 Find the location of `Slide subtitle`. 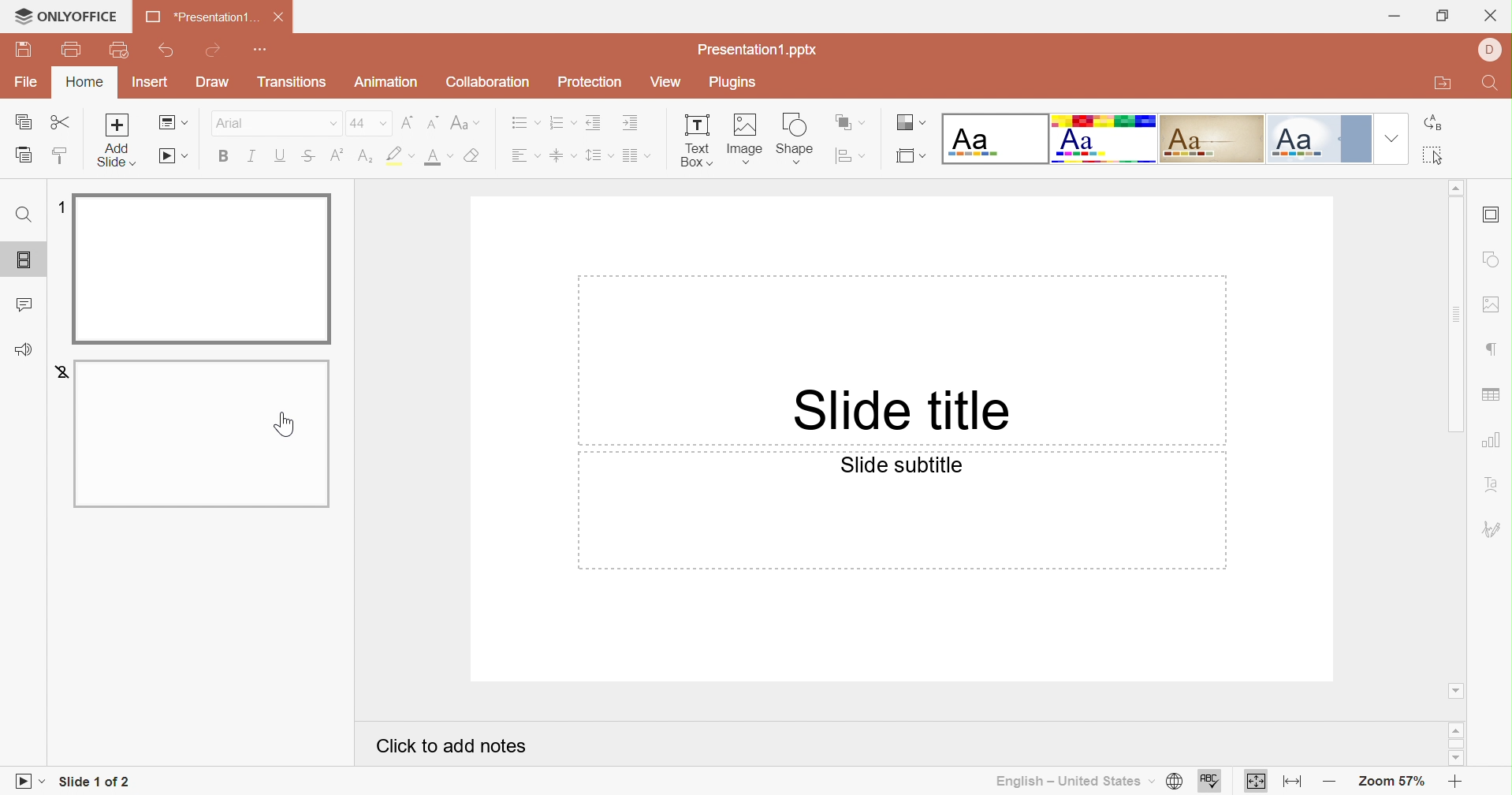

Slide subtitle is located at coordinates (901, 465).